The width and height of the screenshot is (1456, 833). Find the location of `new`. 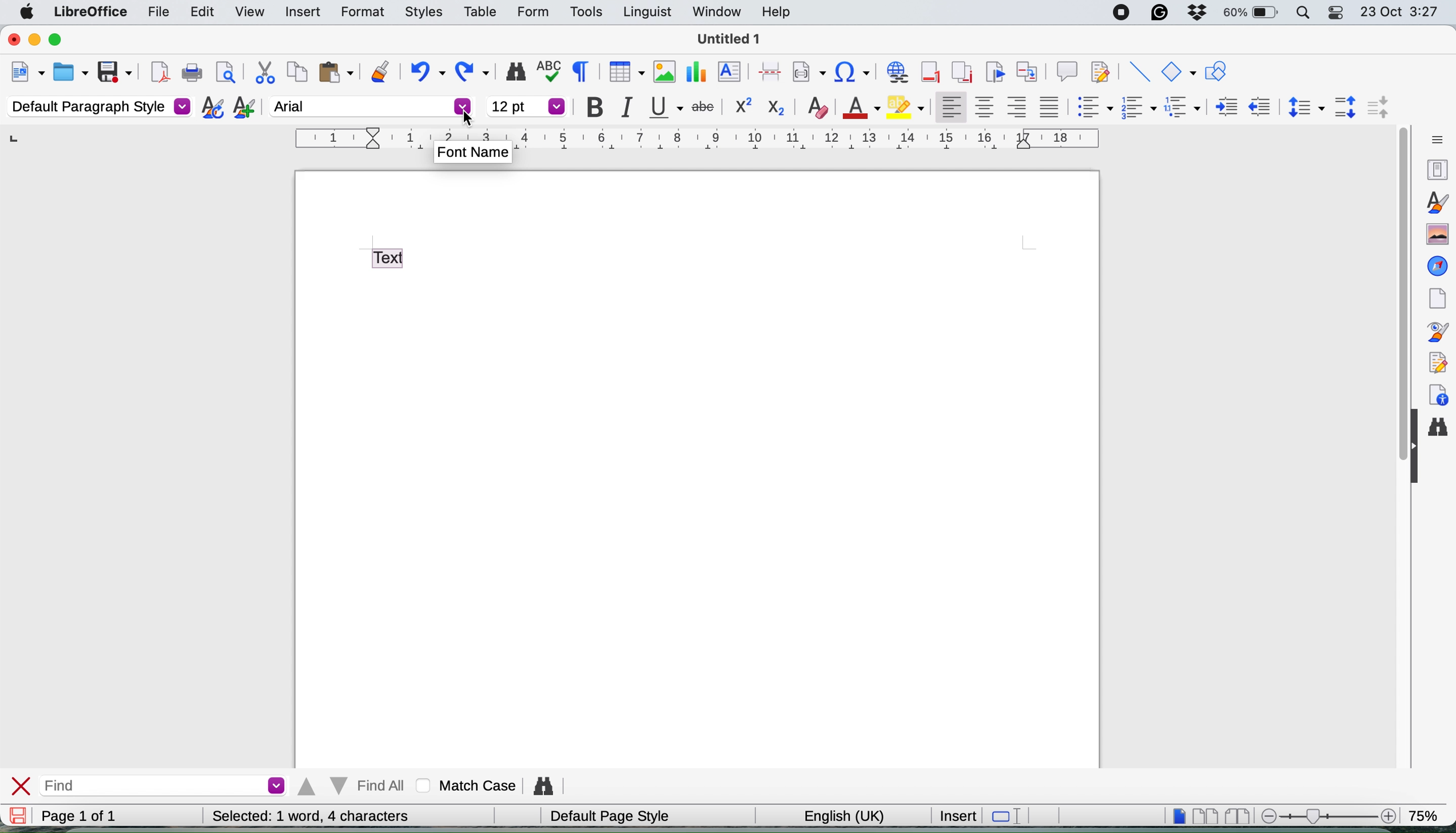

new is located at coordinates (27, 73).